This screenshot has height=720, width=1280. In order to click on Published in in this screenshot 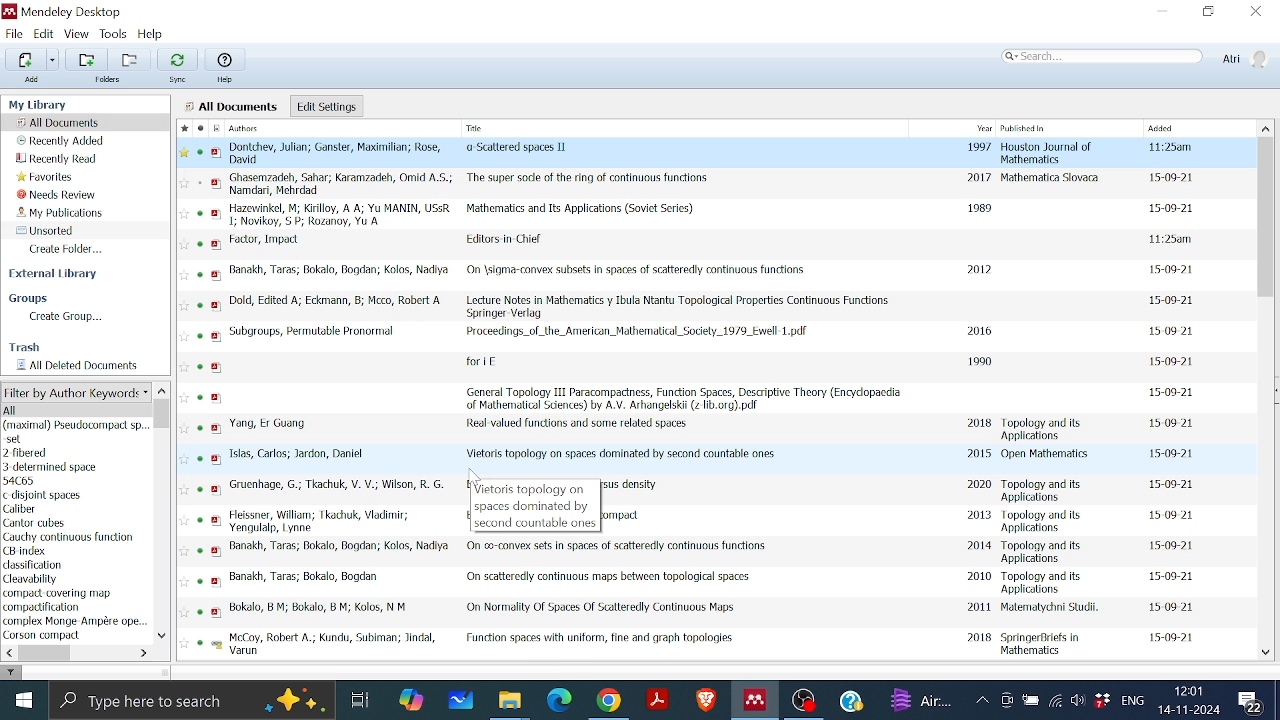, I will do `click(1042, 429)`.